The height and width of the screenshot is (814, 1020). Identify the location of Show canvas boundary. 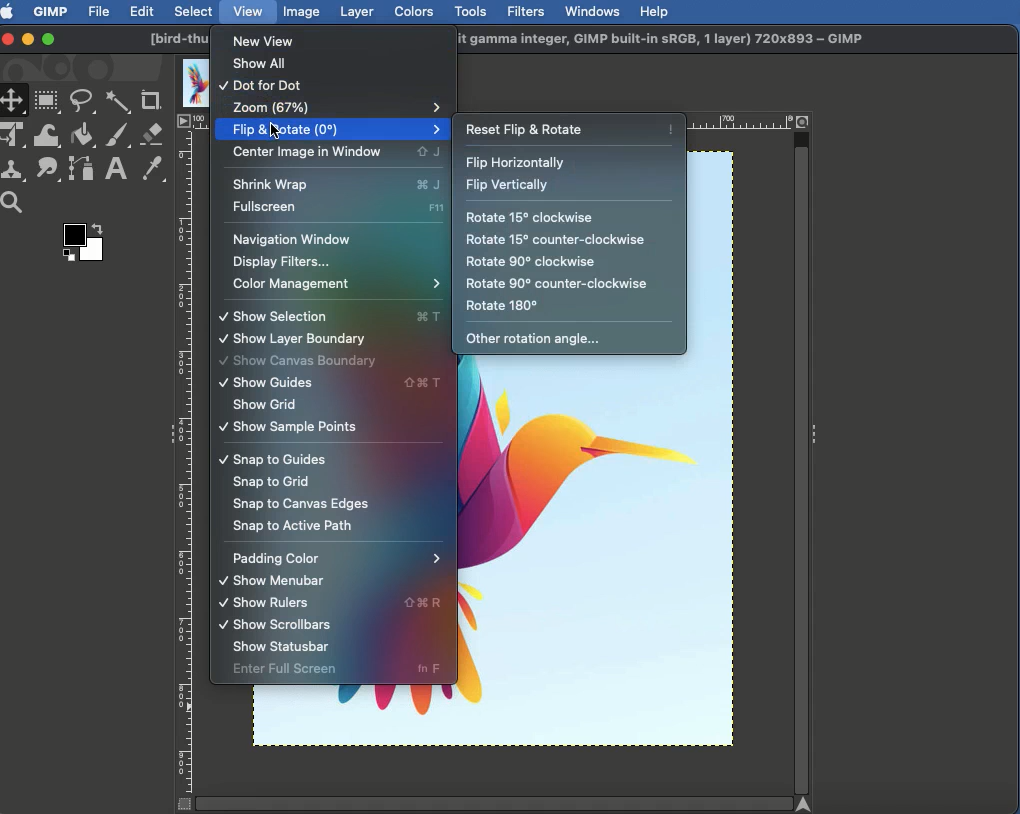
(299, 361).